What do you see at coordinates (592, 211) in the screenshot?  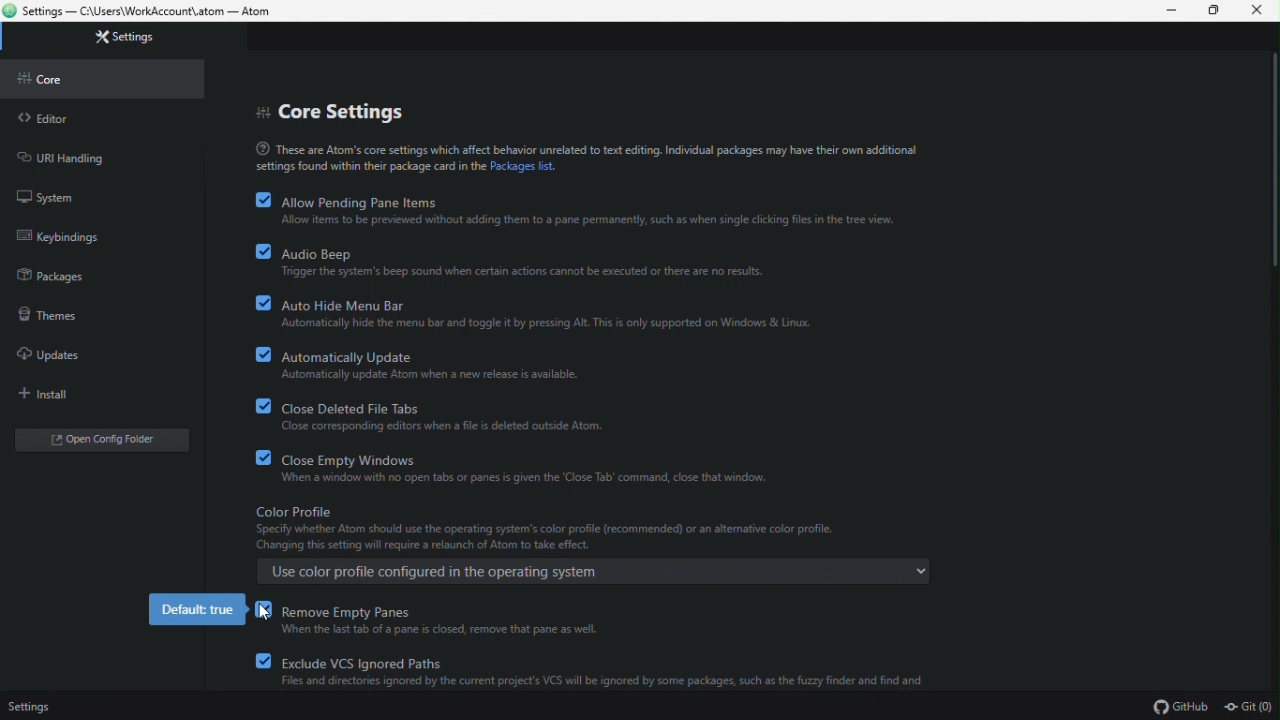 I see `allow pending pane items` at bounding box center [592, 211].